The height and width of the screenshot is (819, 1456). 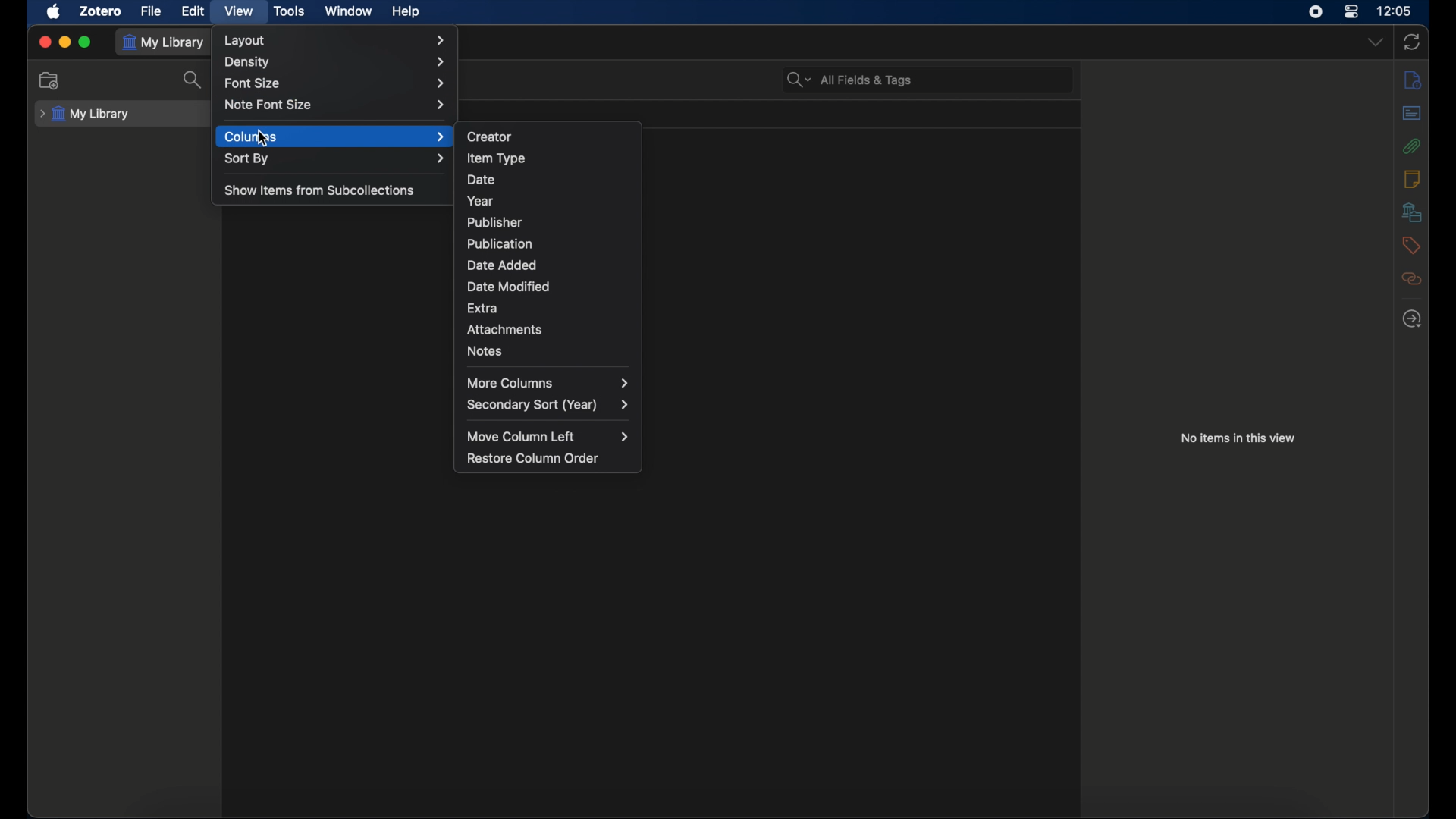 What do you see at coordinates (496, 222) in the screenshot?
I see `publisher` at bounding box center [496, 222].